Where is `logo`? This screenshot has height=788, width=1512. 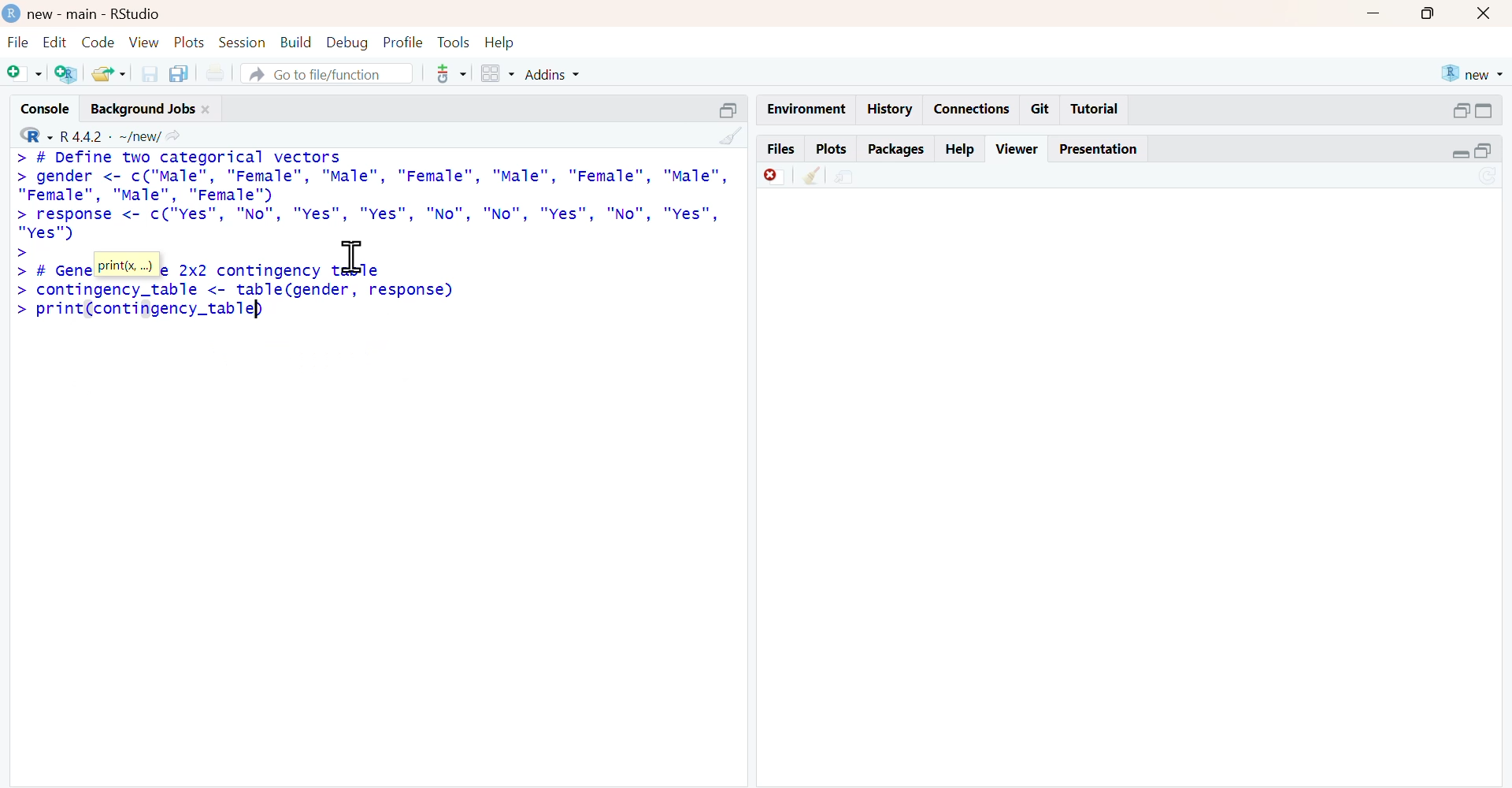
logo is located at coordinates (13, 13).